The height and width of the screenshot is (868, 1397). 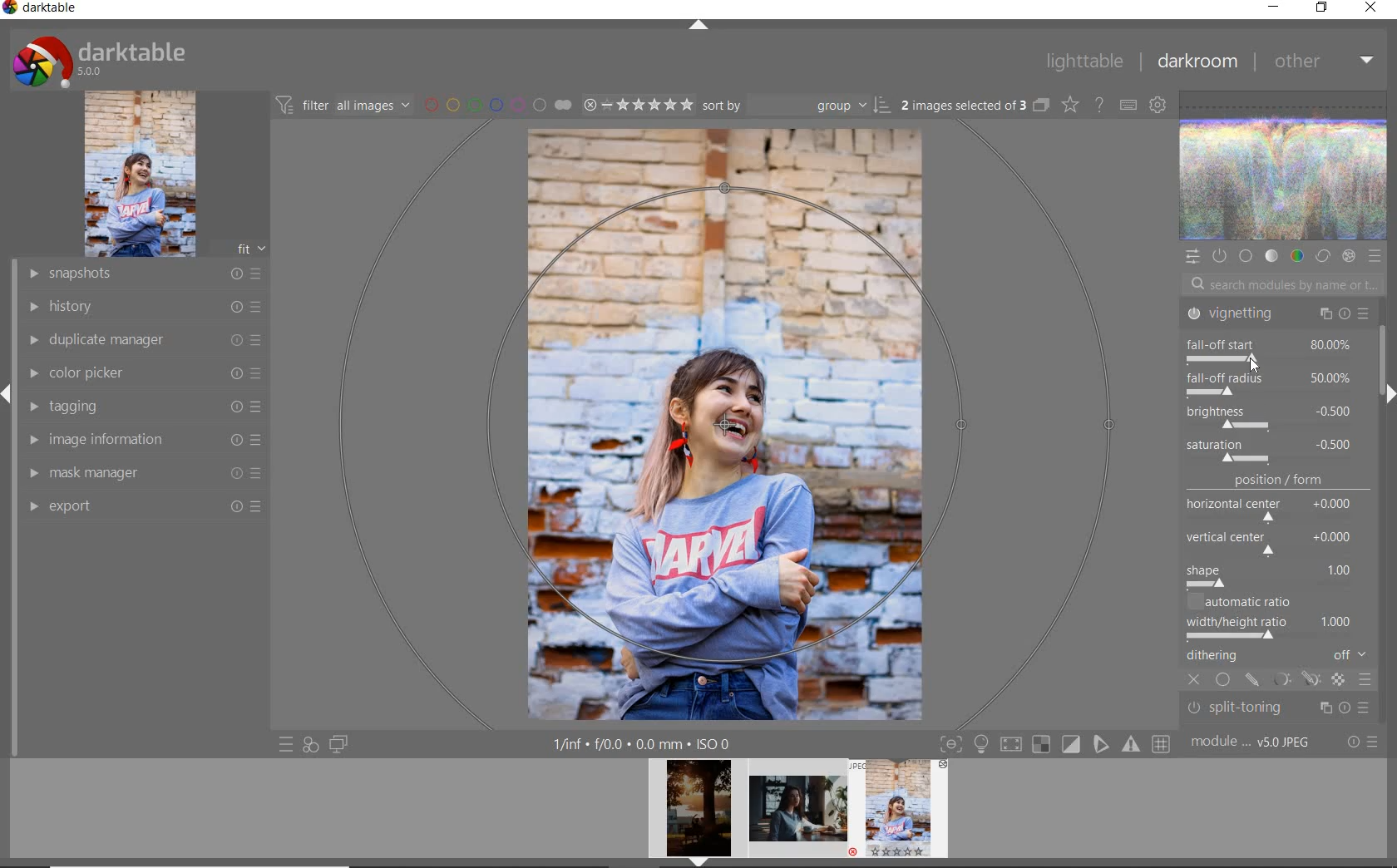 What do you see at coordinates (1375, 256) in the screenshot?
I see `preset` at bounding box center [1375, 256].